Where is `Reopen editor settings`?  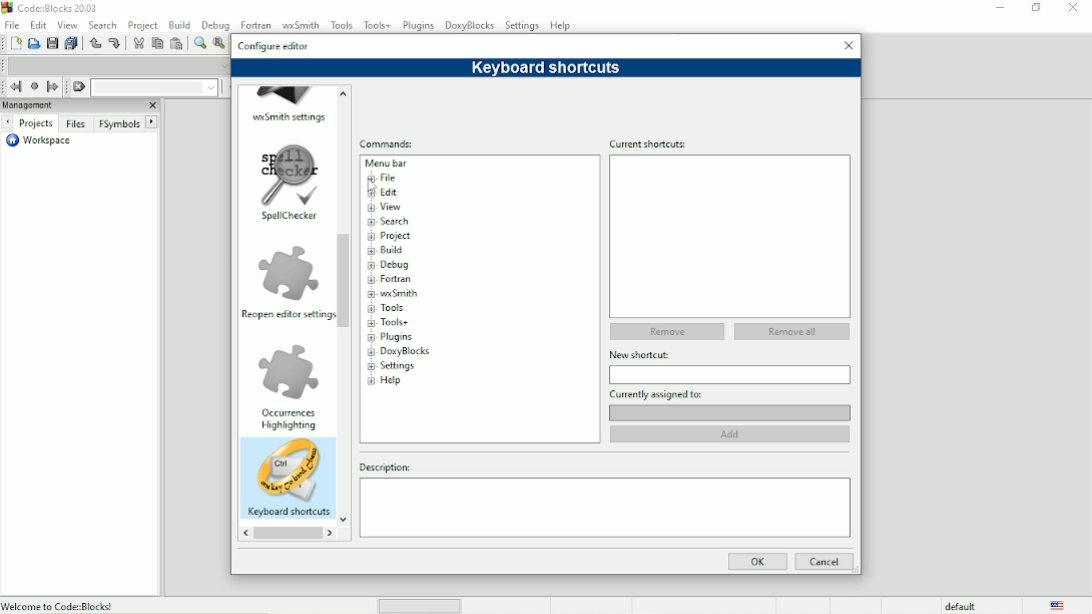
Reopen editor settings is located at coordinates (287, 314).